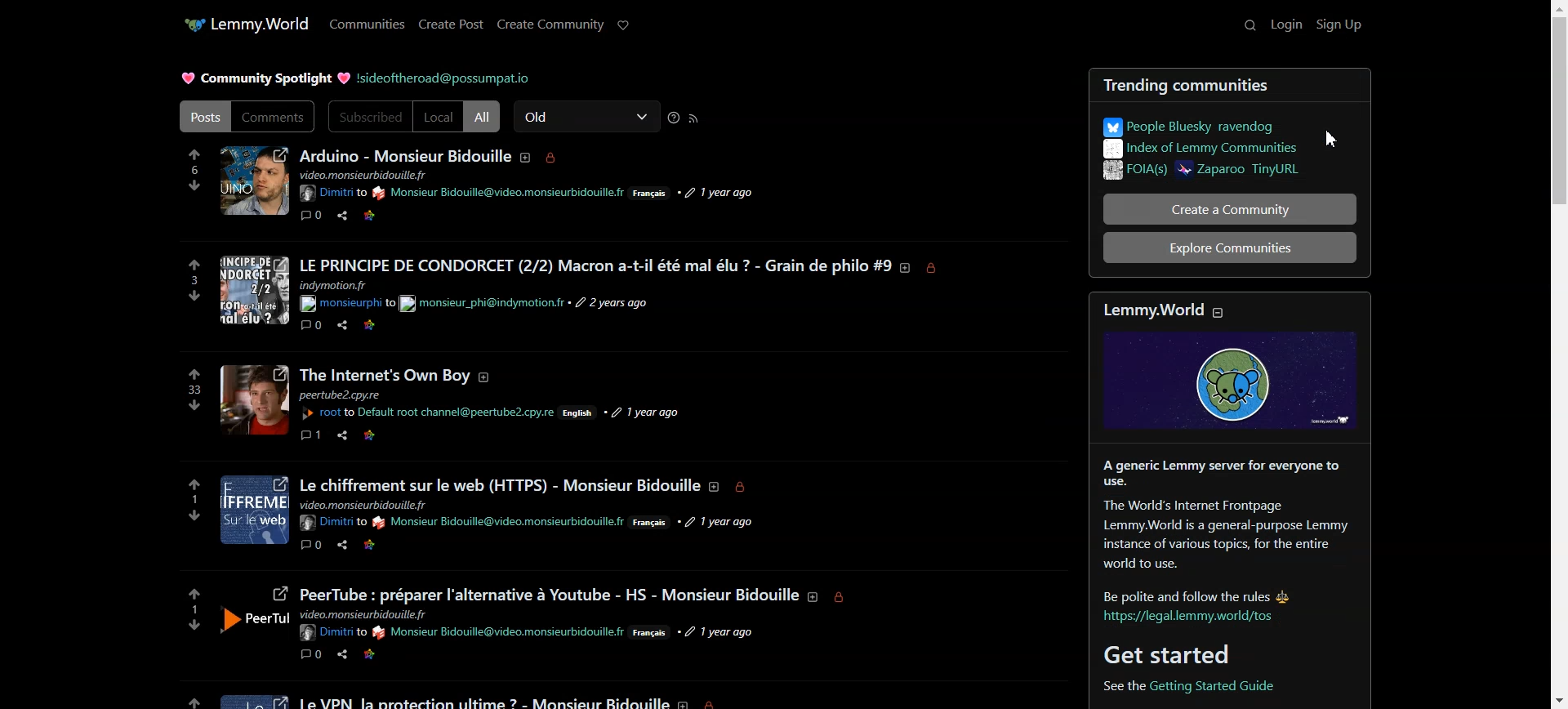  I want to click on , so click(365, 614).